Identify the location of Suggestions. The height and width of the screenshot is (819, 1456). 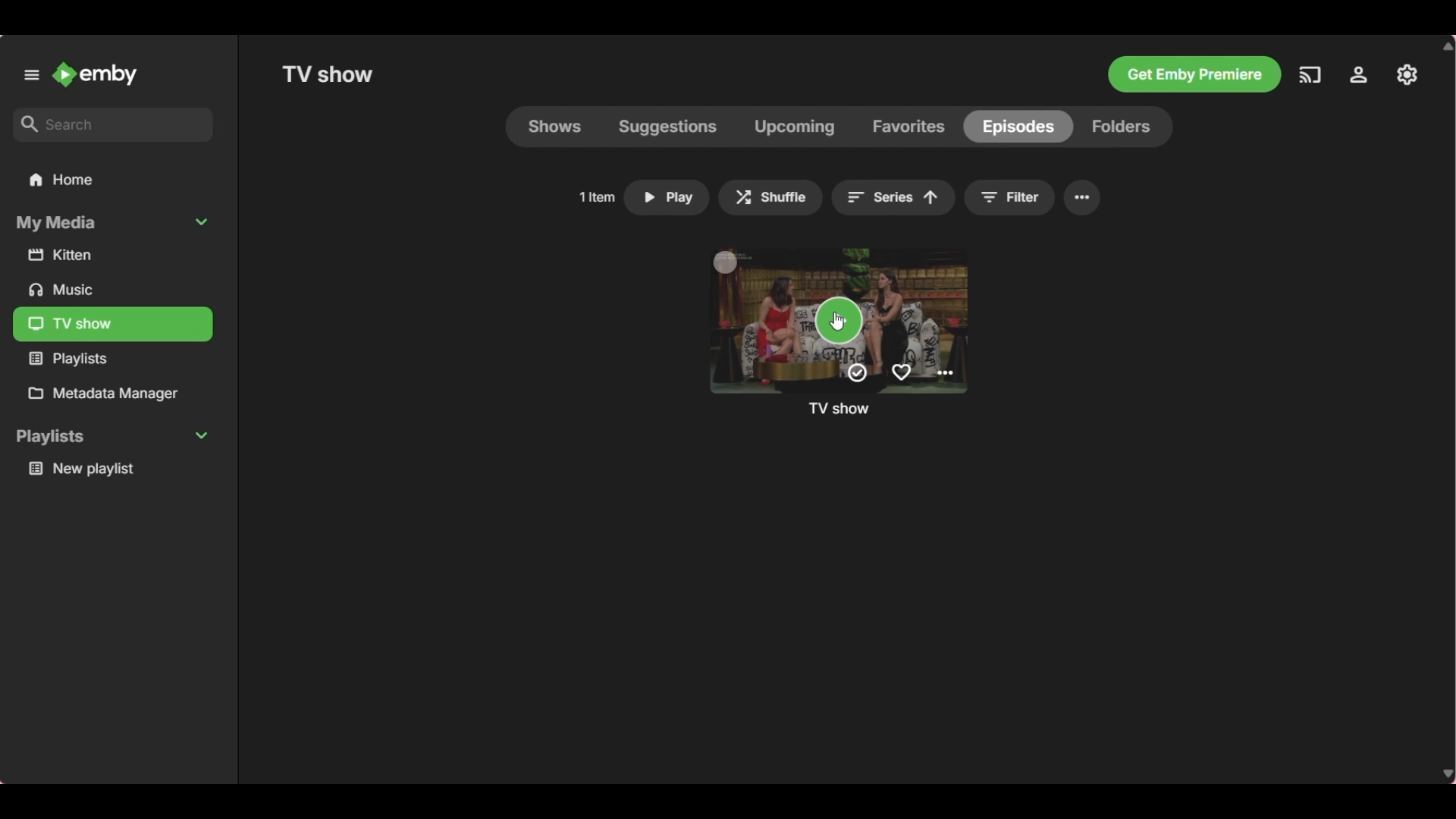
(666, 127).